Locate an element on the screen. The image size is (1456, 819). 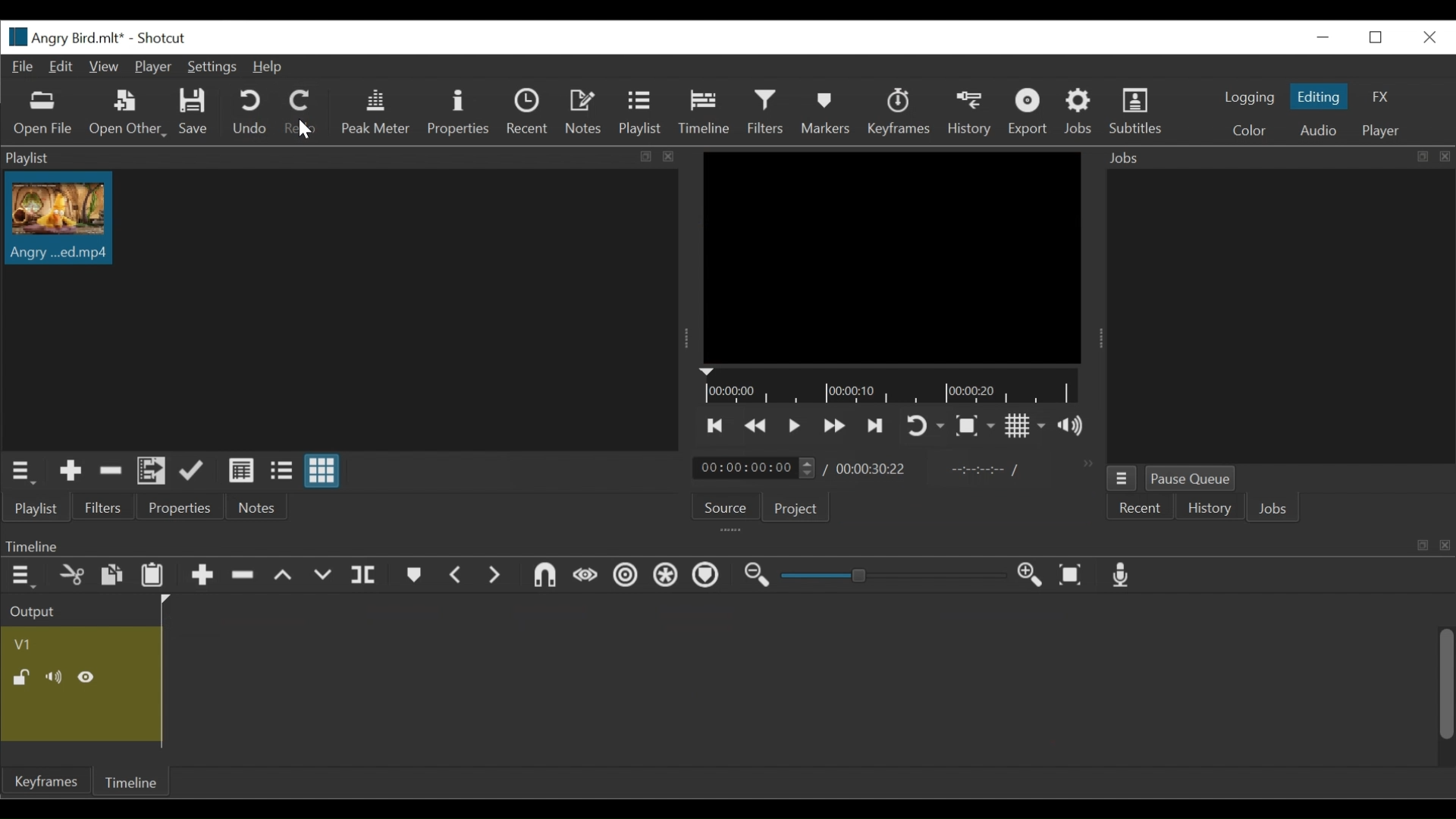
Remove Cut is located at coordinates (111, 470).